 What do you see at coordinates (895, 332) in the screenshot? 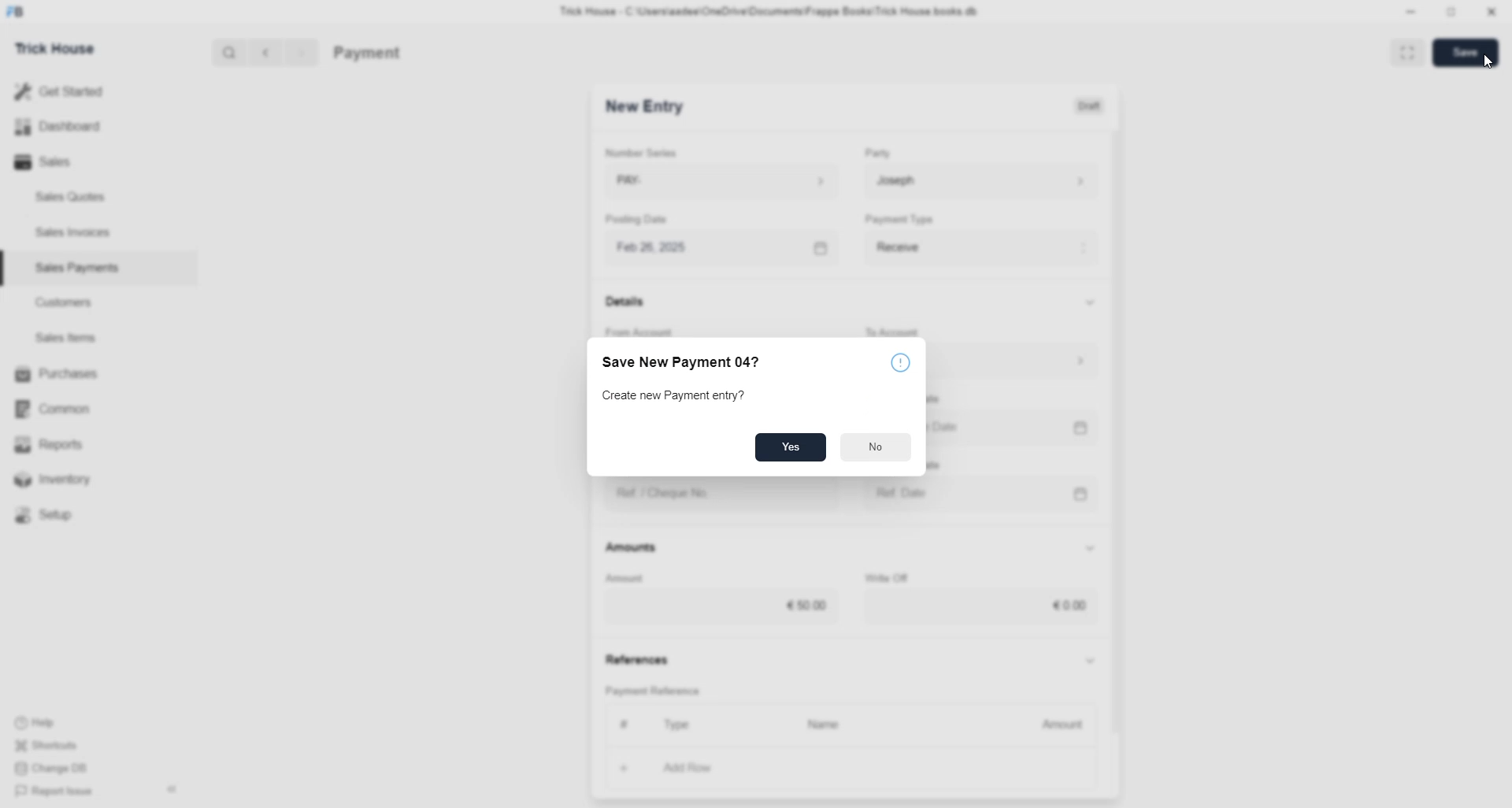
I see `To Account` at bounding box center [895, 332].